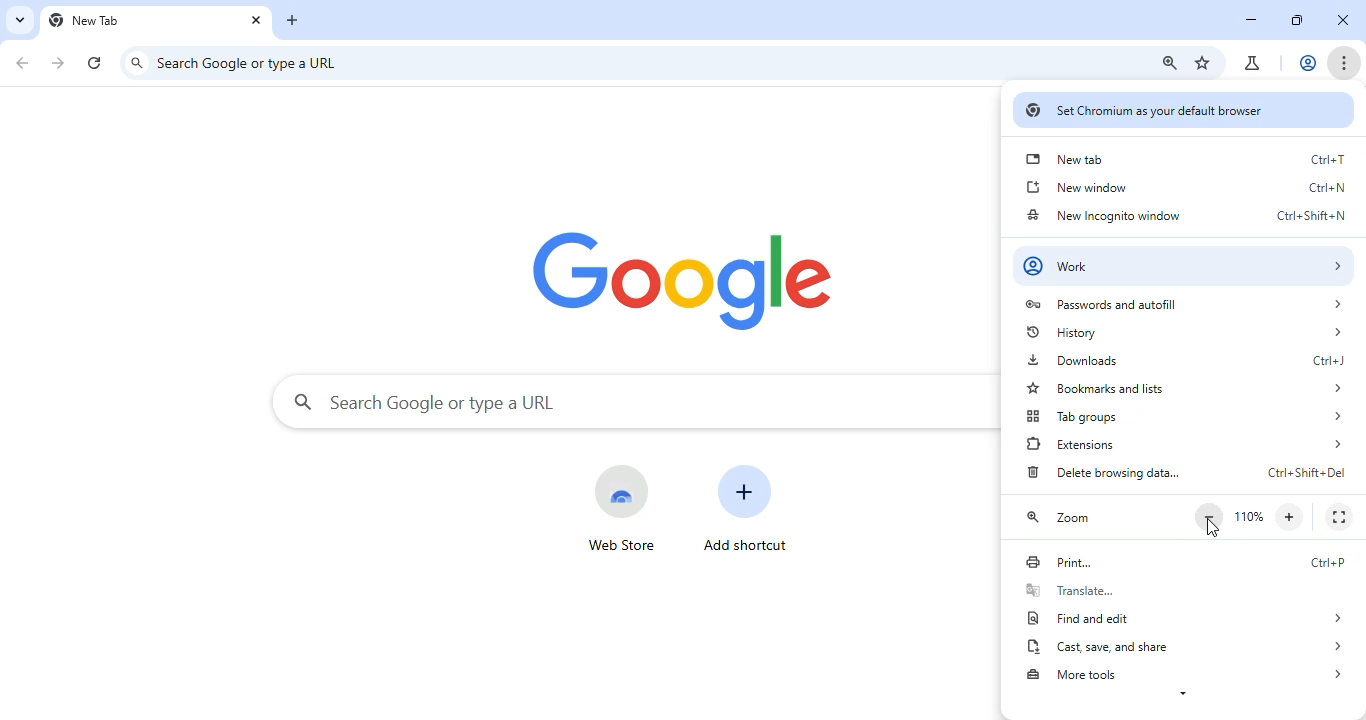 The height and width of the screenshot is (720, 1366). Describe the element at coordinates (1185, 265) in the screenshot. I see `work` at that location.